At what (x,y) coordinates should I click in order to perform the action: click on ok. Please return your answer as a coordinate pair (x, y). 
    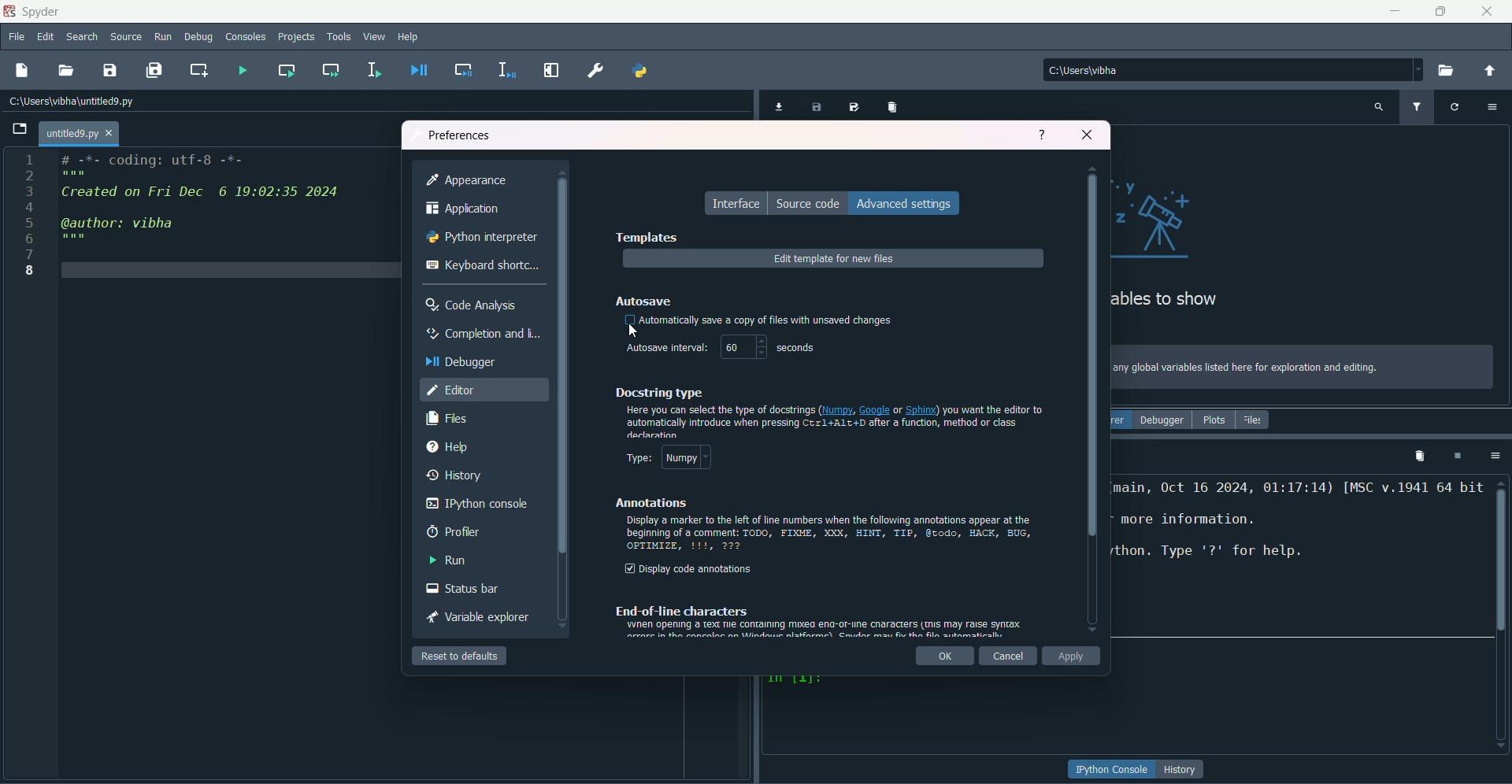
    Looking at the image, I should click on (947, 658).